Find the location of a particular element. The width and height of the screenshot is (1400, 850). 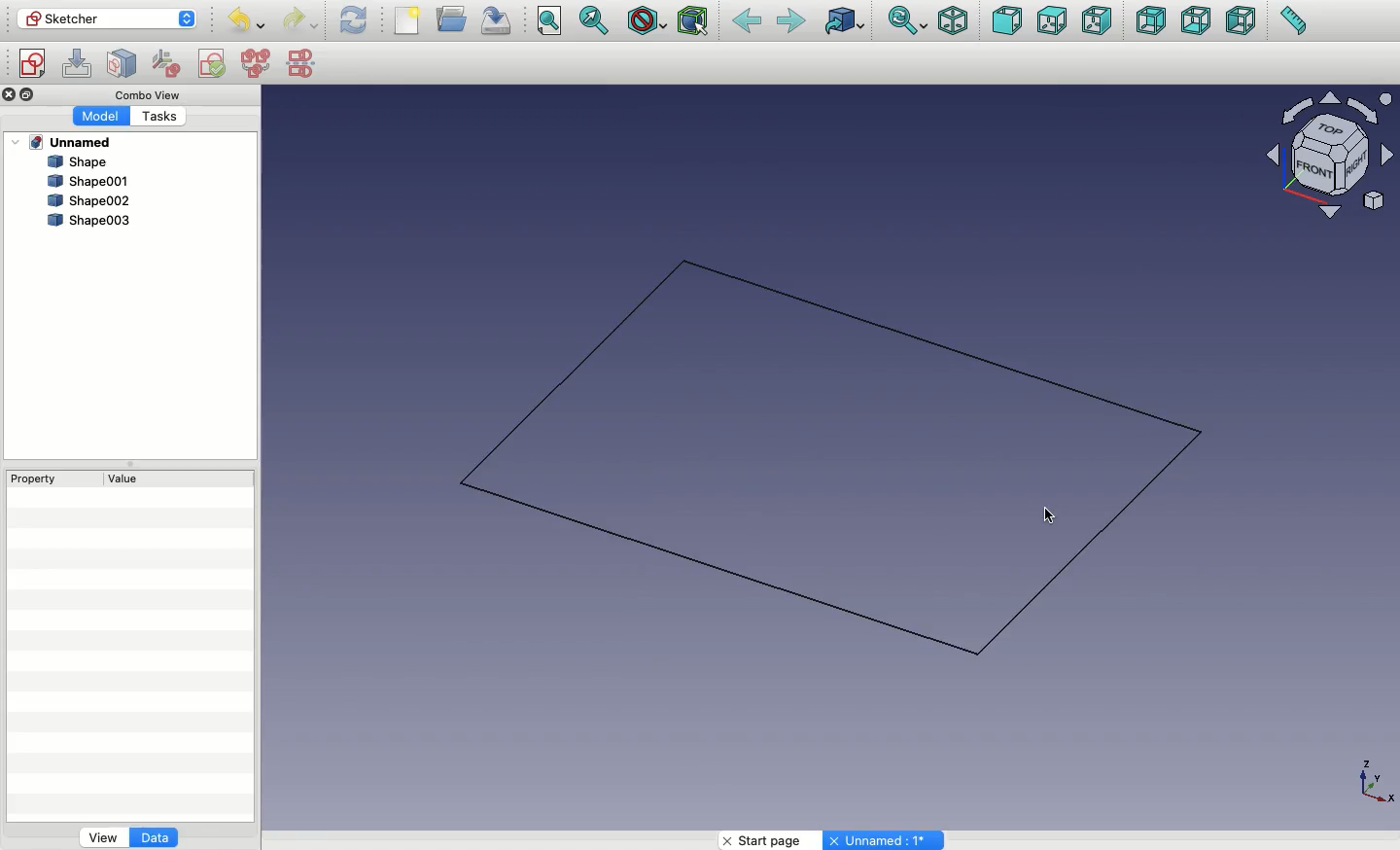

Back is located at coordinates (749, 22).